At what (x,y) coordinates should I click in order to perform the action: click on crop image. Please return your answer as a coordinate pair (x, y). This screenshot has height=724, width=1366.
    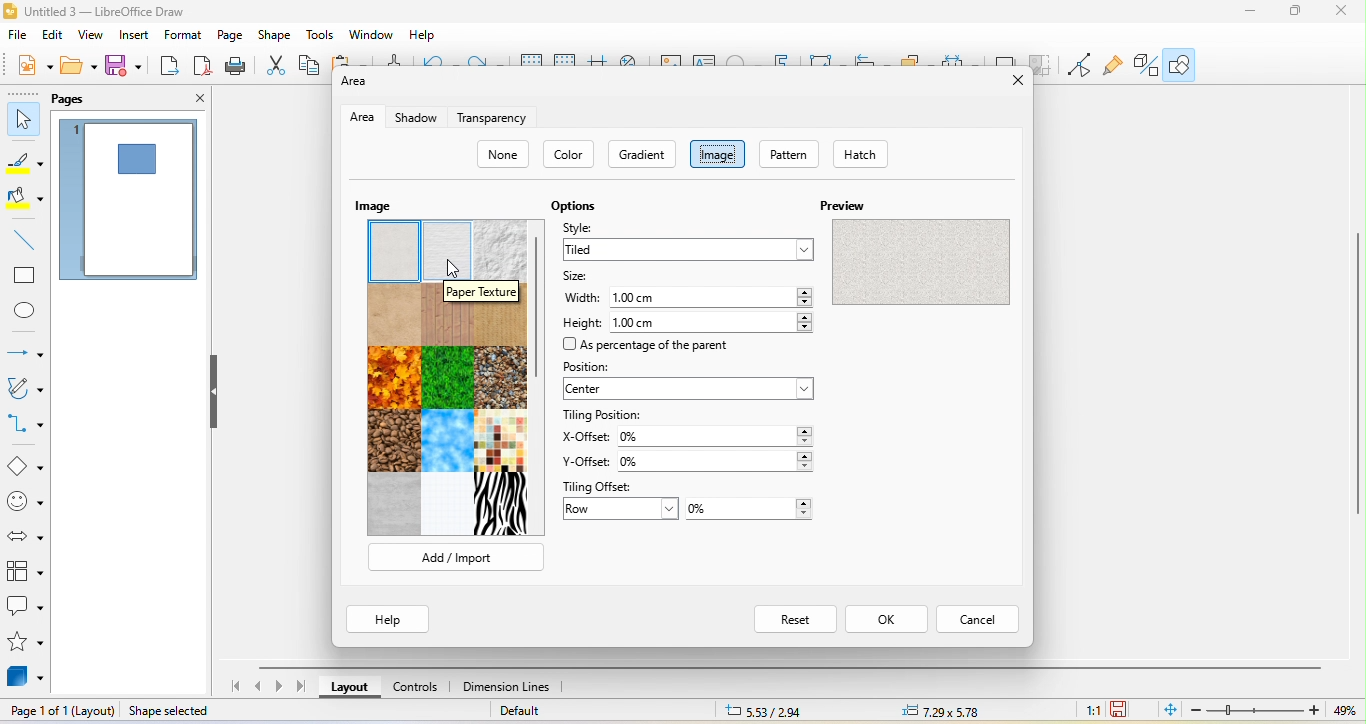
    Looking at the image, I should click on (1043, 66).